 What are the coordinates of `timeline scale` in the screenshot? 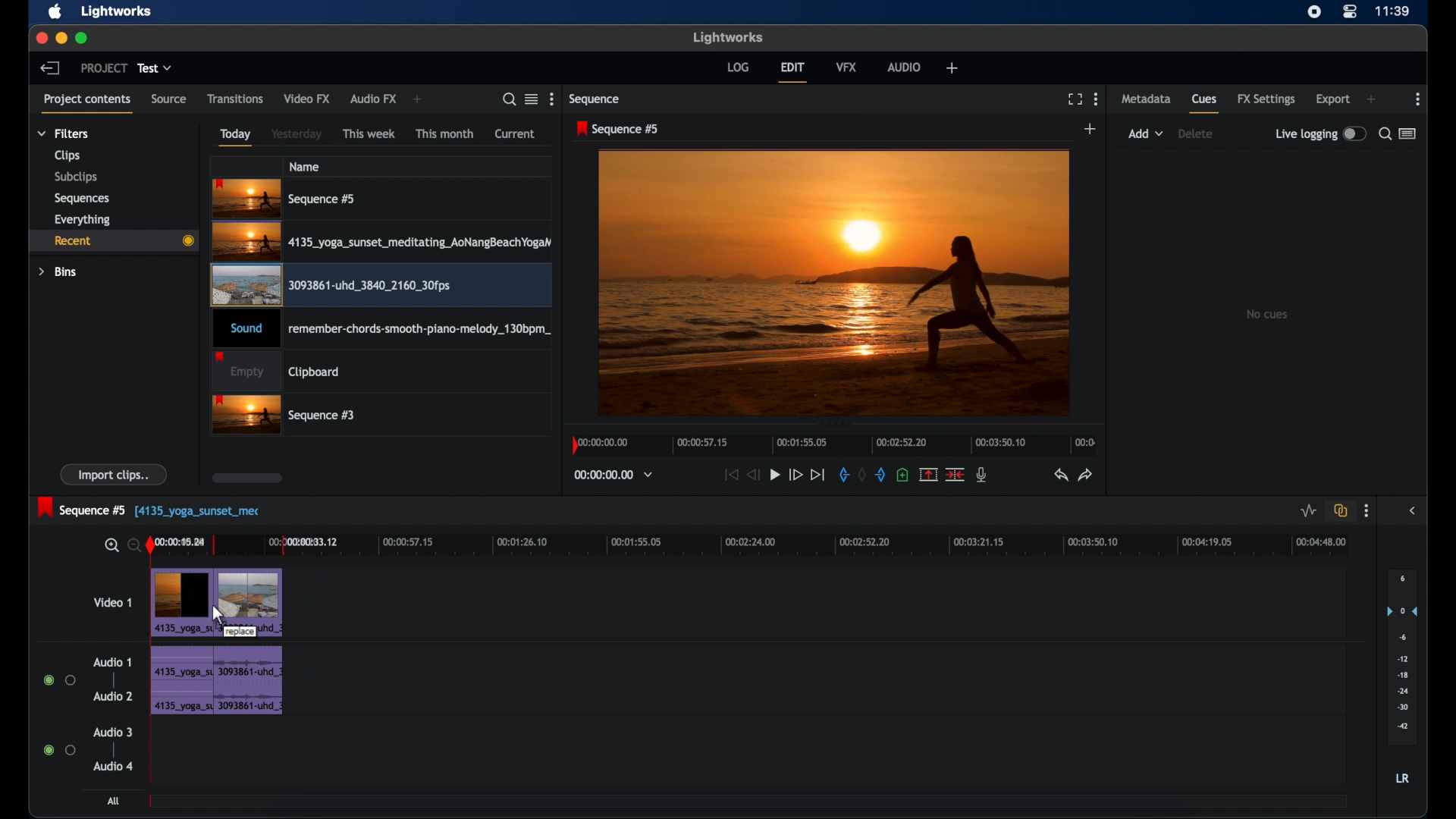 It's located at (751, 546).